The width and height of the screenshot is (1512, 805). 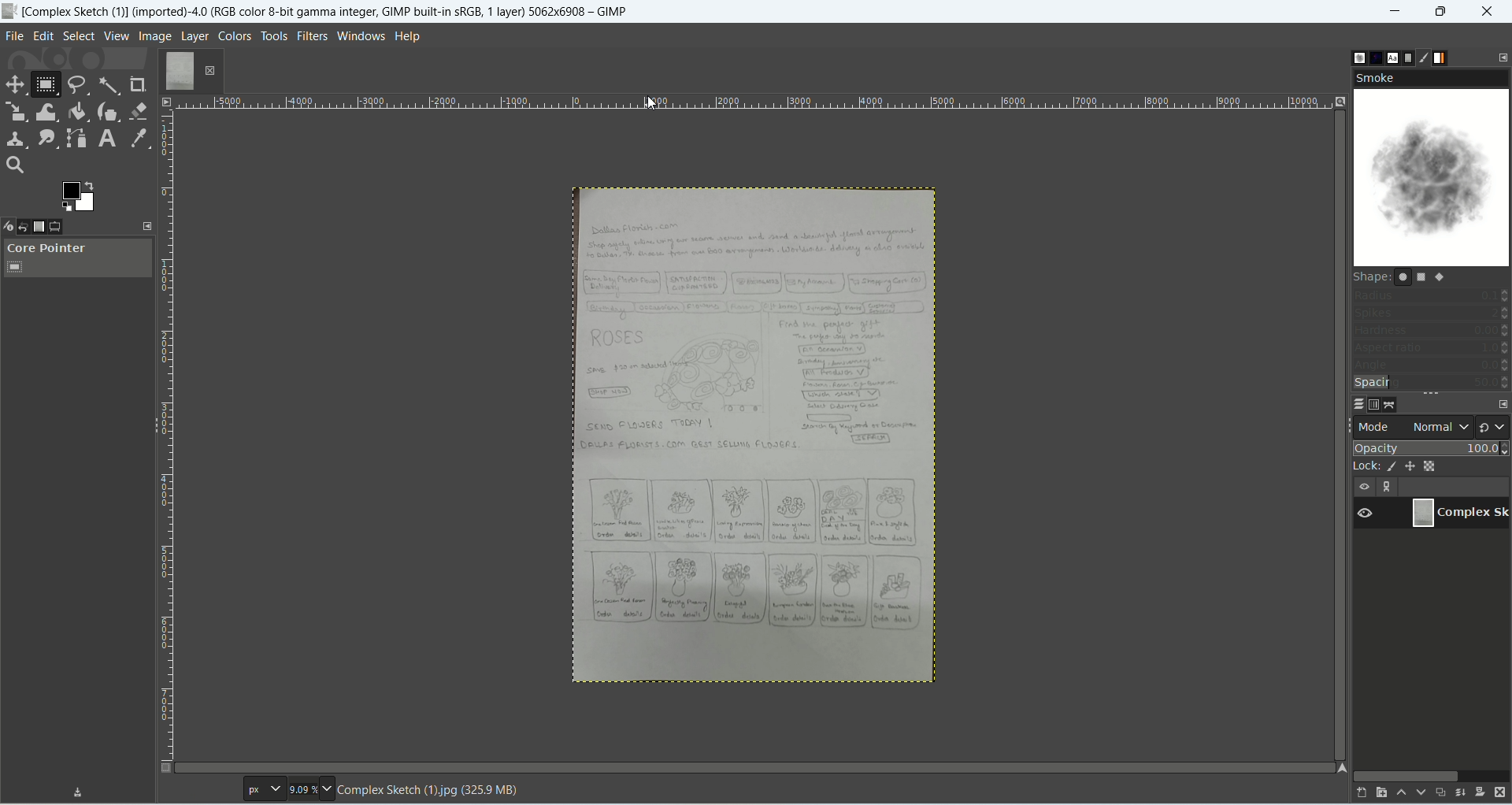 I want to click on gradients, so click(x=1442, y=58).